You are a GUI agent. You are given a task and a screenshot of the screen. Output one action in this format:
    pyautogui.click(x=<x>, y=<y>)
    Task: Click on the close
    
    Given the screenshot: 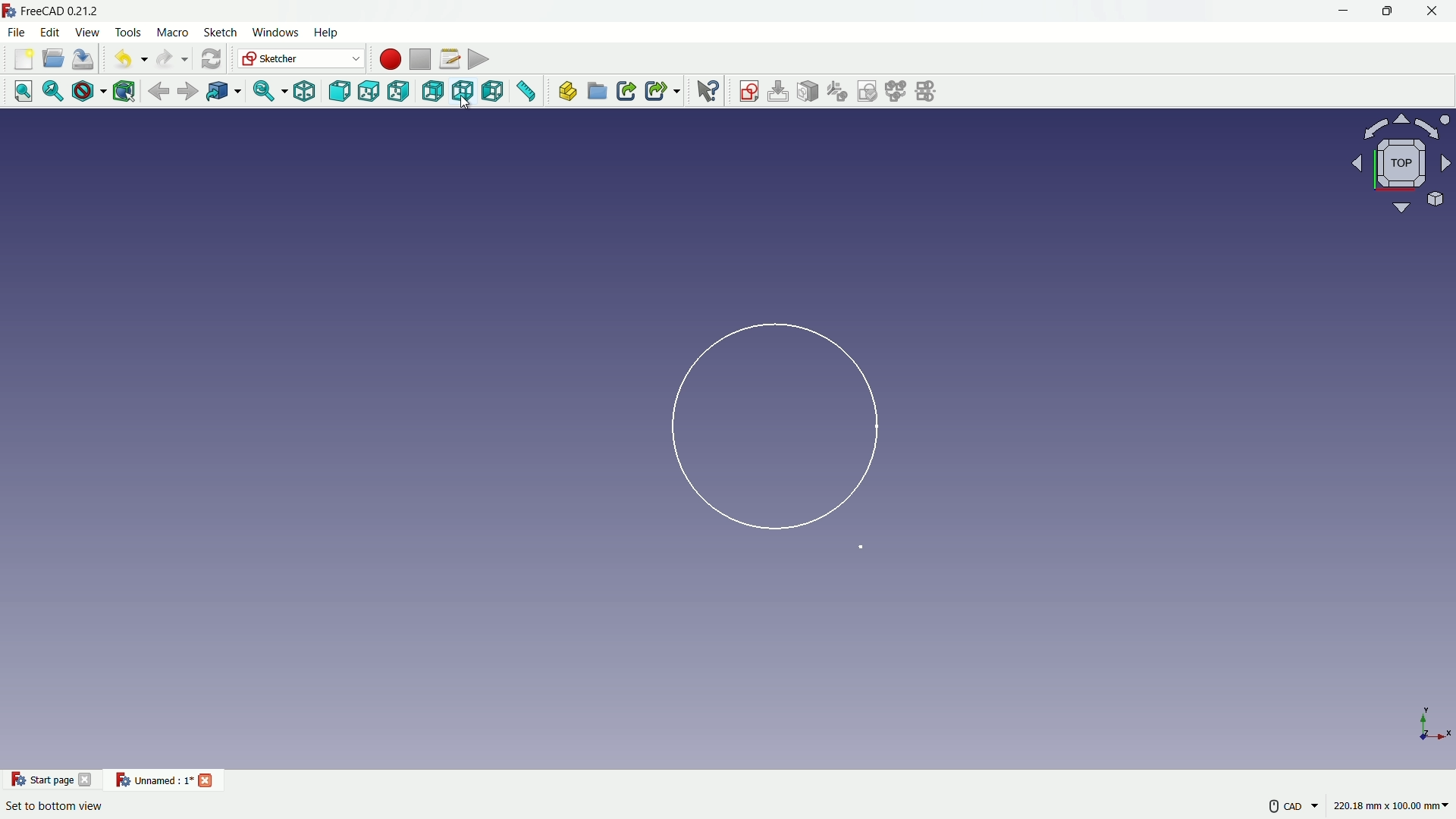 What is the action you would take?
    pyautogui.click(x=88, y=779)
    